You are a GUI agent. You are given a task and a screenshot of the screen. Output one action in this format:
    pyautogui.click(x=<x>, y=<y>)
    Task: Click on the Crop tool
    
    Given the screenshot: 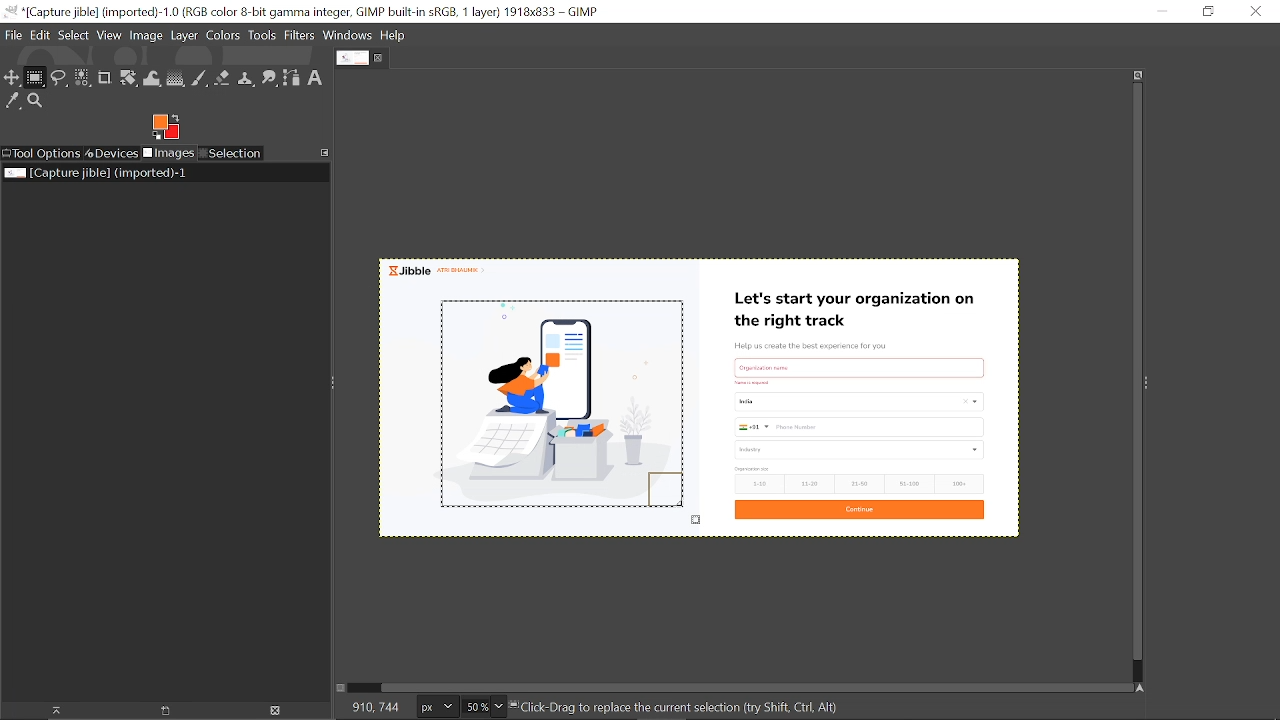 What is the action you would take?
    pyautogui.click(x=104, y=79)
    